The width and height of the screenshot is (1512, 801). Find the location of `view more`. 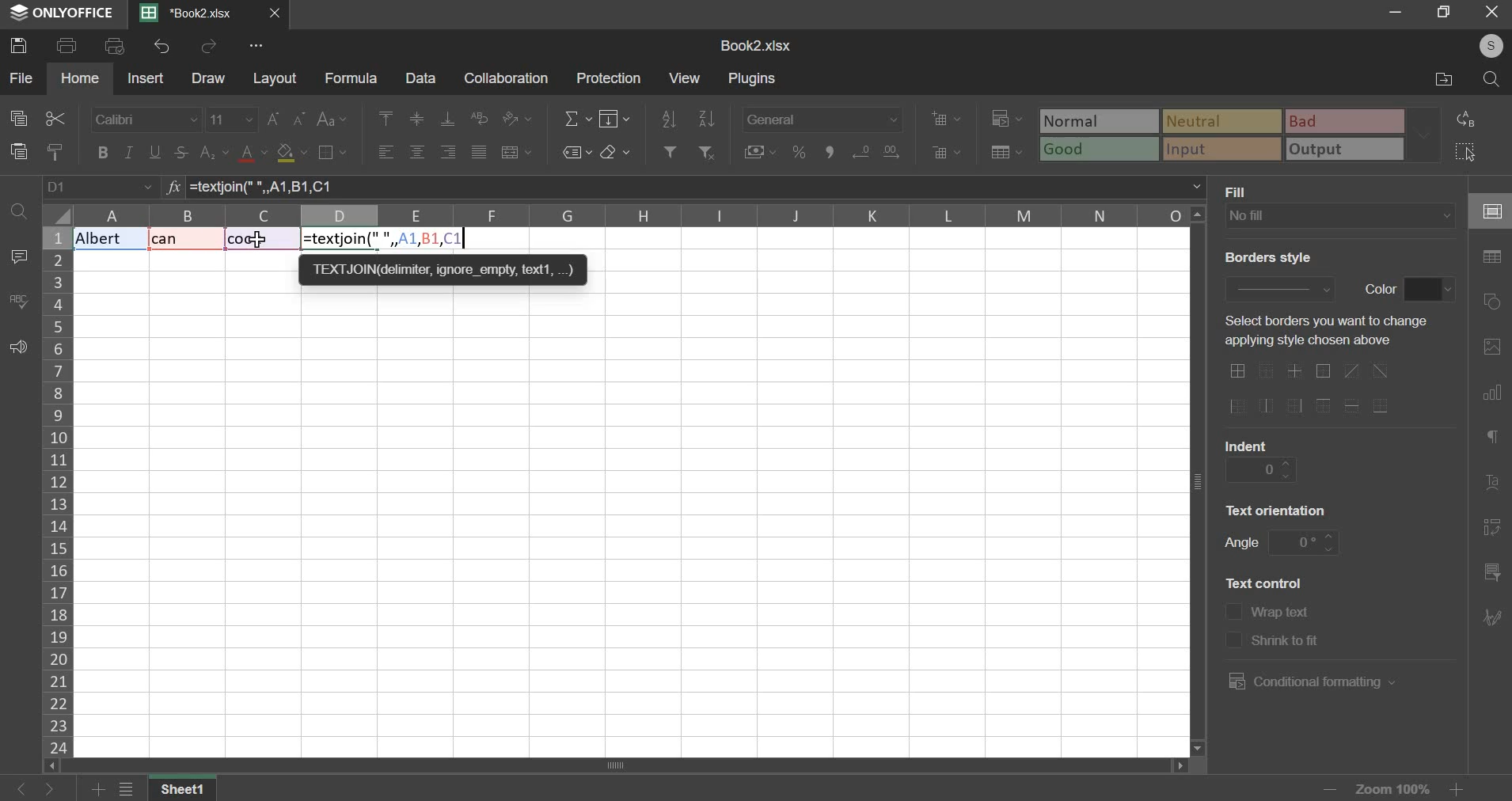

view more is located at coordinates (258, 46).